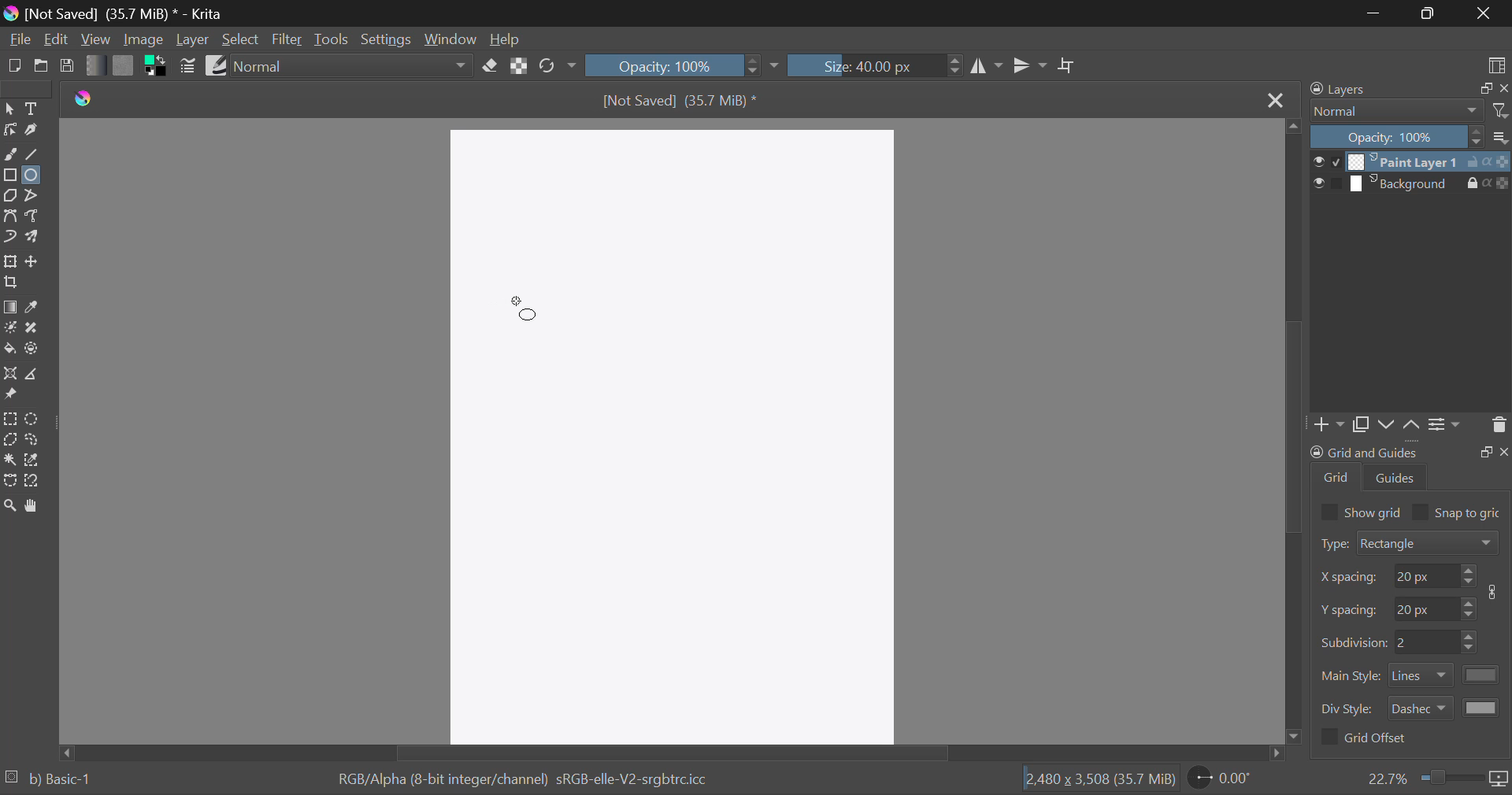  I want to click on Enclose and Fill, so click(34, 349).